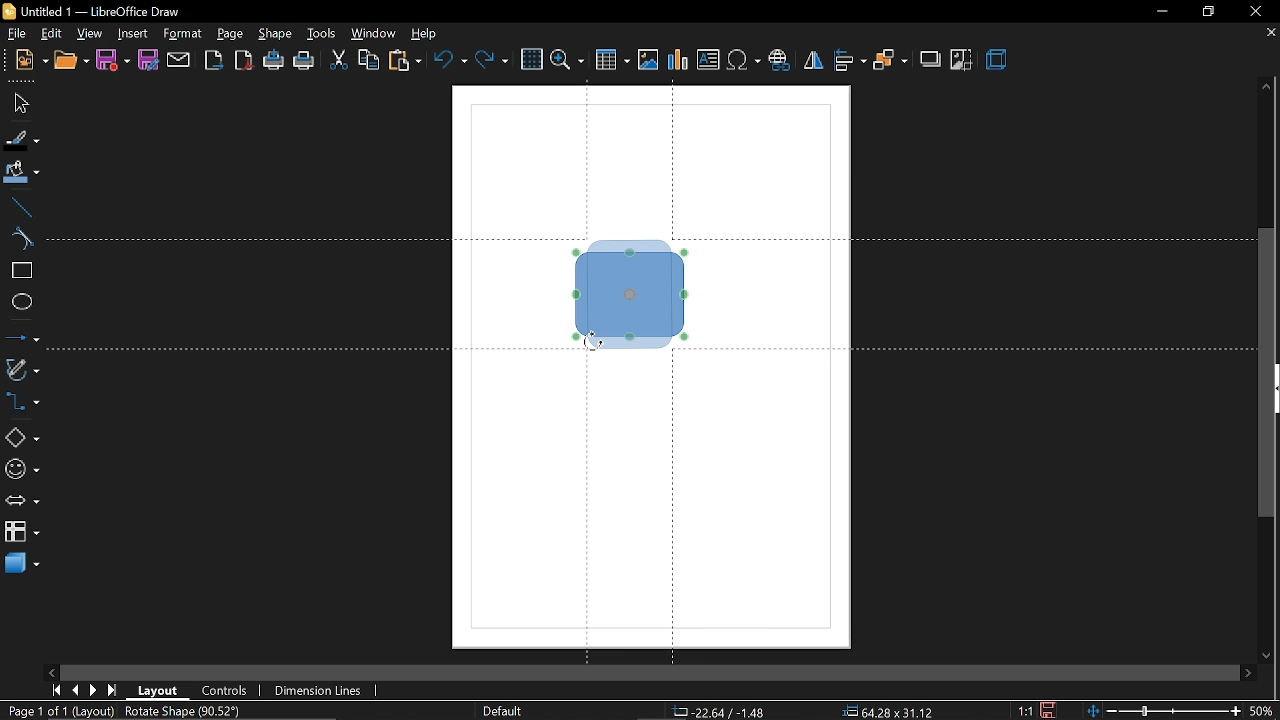  I want to click on redo, so click(492, 62).